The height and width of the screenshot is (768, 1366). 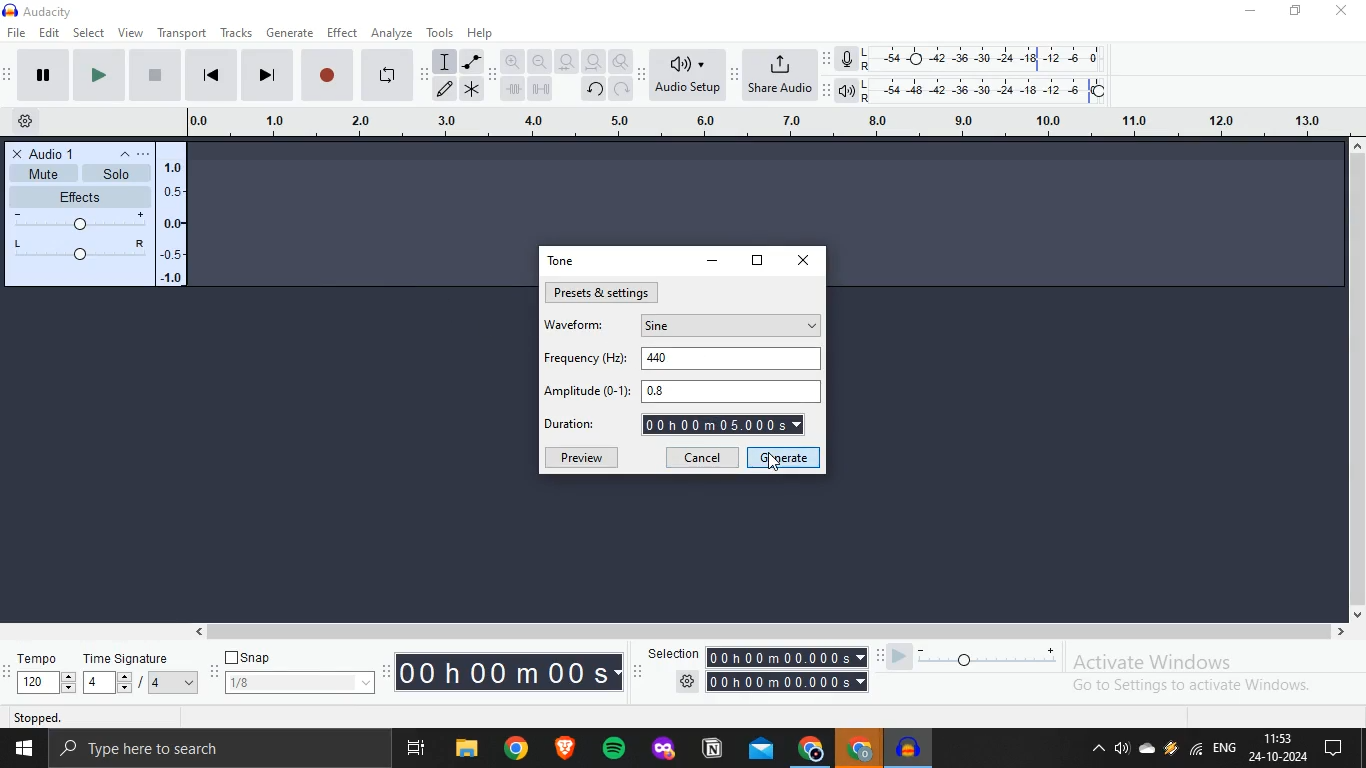 What do you see at coordinates (910, 748) in the screenshot?
I see `Music Playe` at bounding box center [910, 748].